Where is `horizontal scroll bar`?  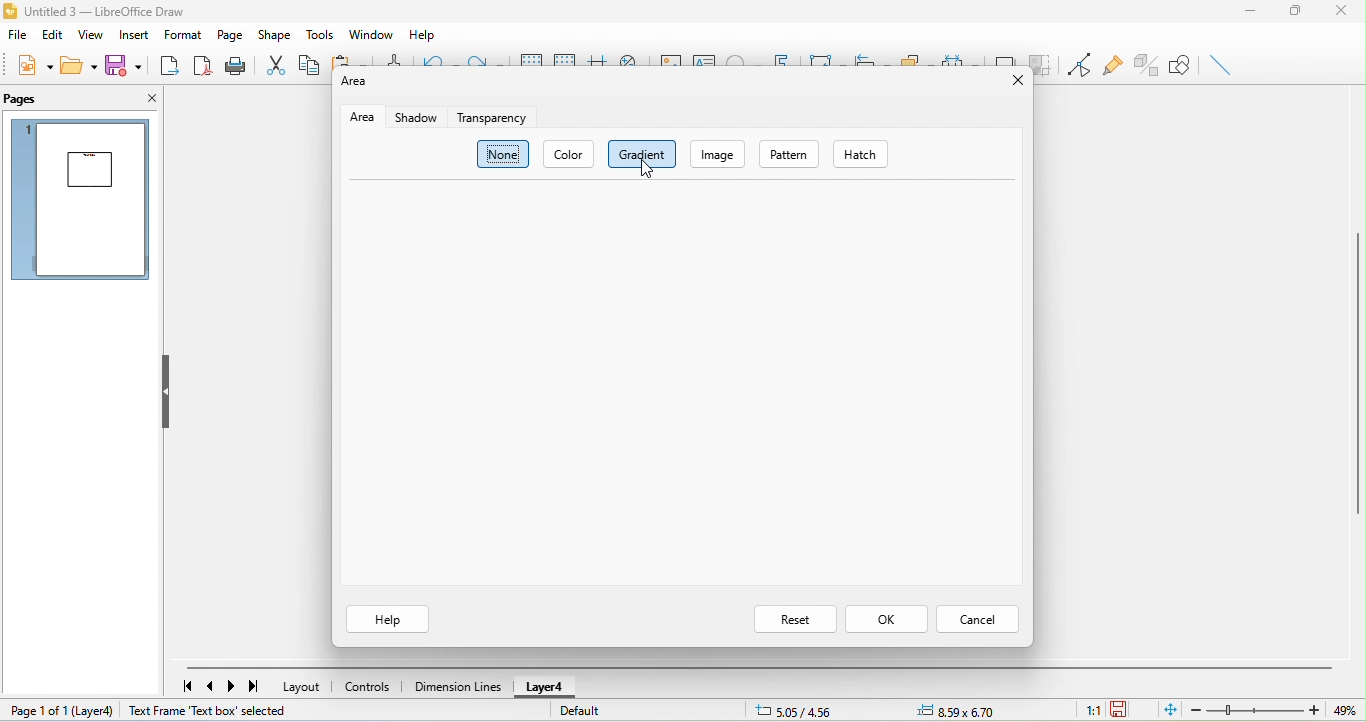 horizontal scroll bar is located at coordinates (759, 668).